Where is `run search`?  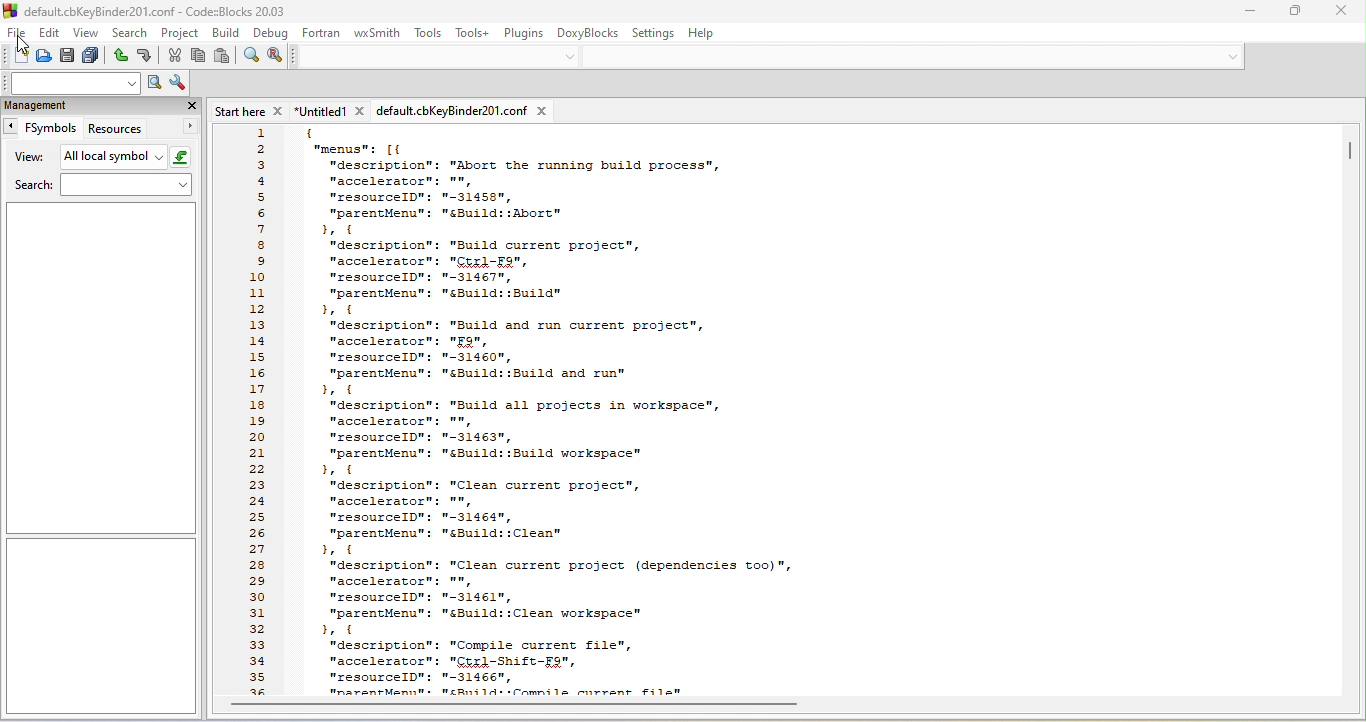
run search is located at coordinates (154, 83).